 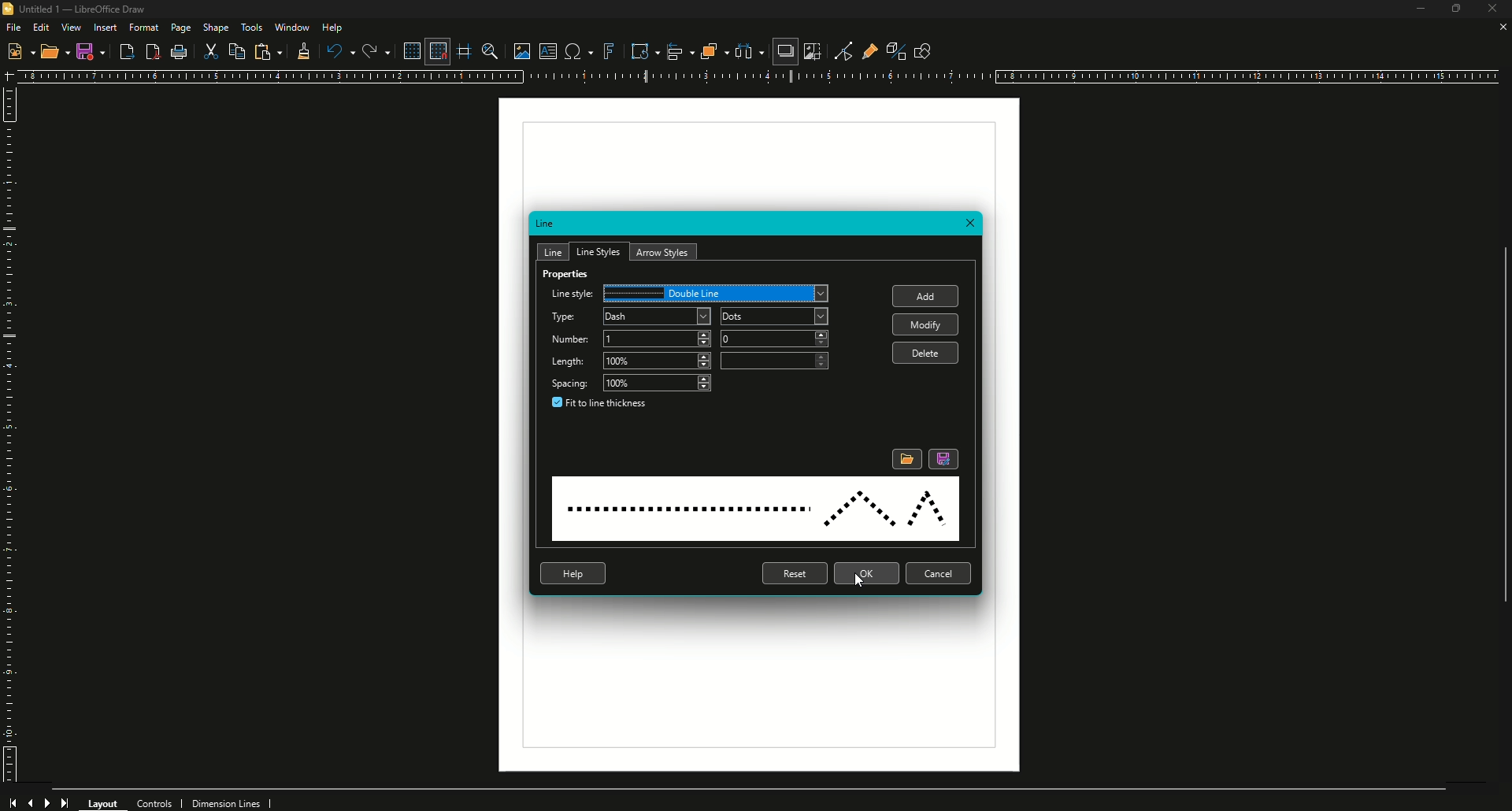 What do you see at coordinates (658, 317) in the screenshot?
I see `Dash` at bounding box center [658, 317].